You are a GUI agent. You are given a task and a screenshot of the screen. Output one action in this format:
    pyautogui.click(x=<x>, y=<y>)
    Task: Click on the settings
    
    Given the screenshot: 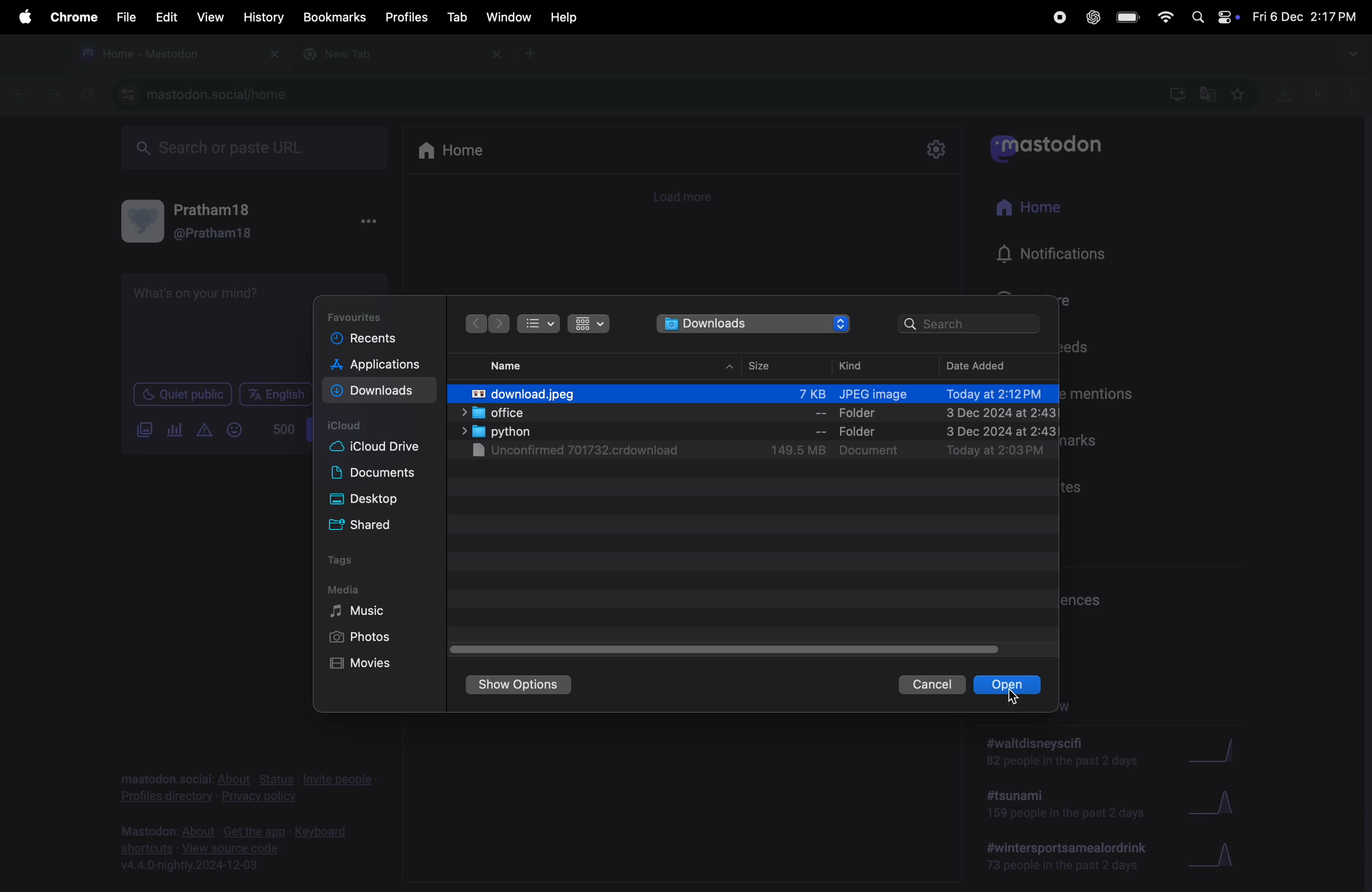 What is the action you would take?
    pyautogui.click(x=937, y=149)
    